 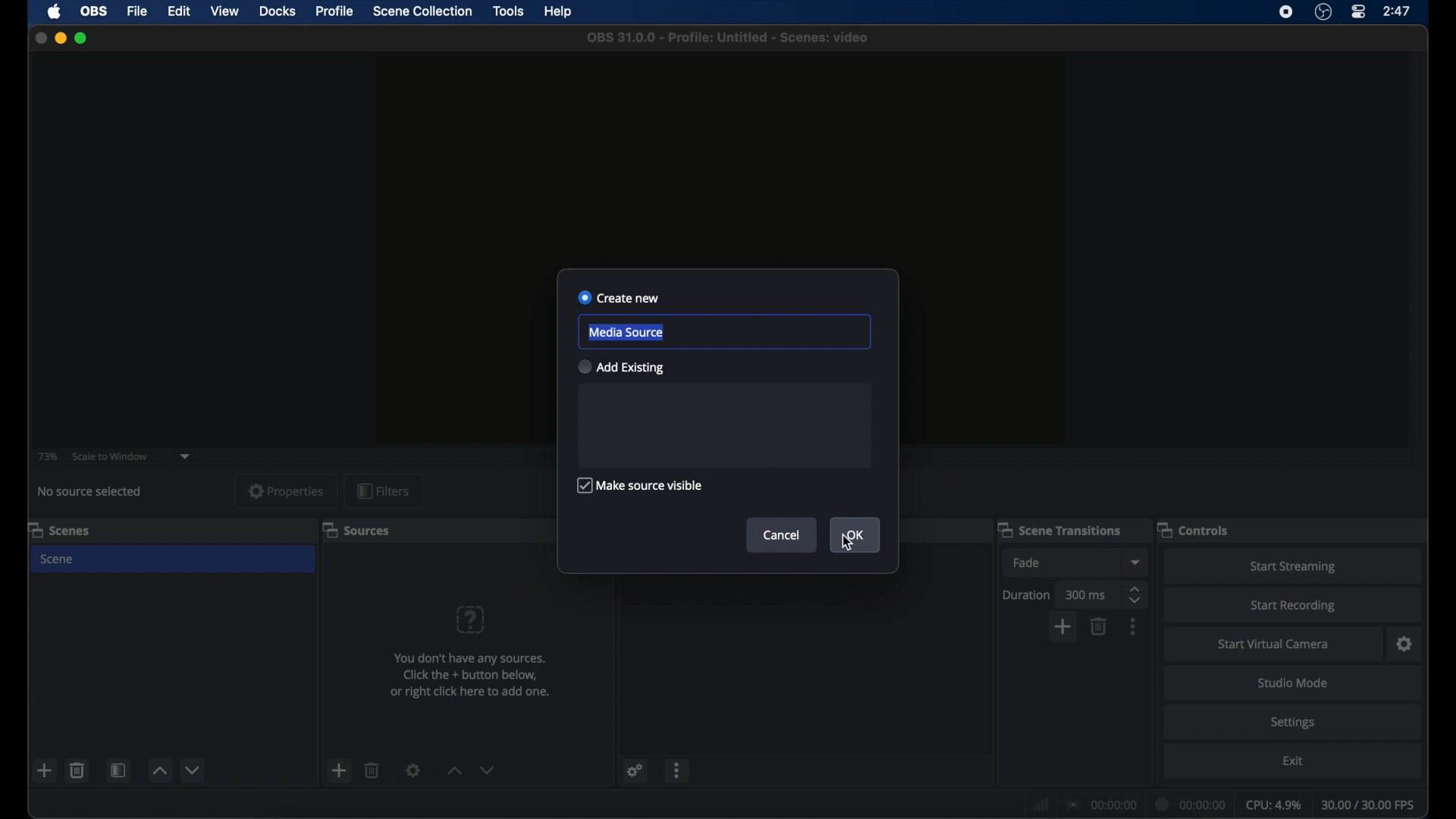 What do you see at coordinates (278, 11) in the screenshot?
I see `docks` at bounding box center [278, 11].